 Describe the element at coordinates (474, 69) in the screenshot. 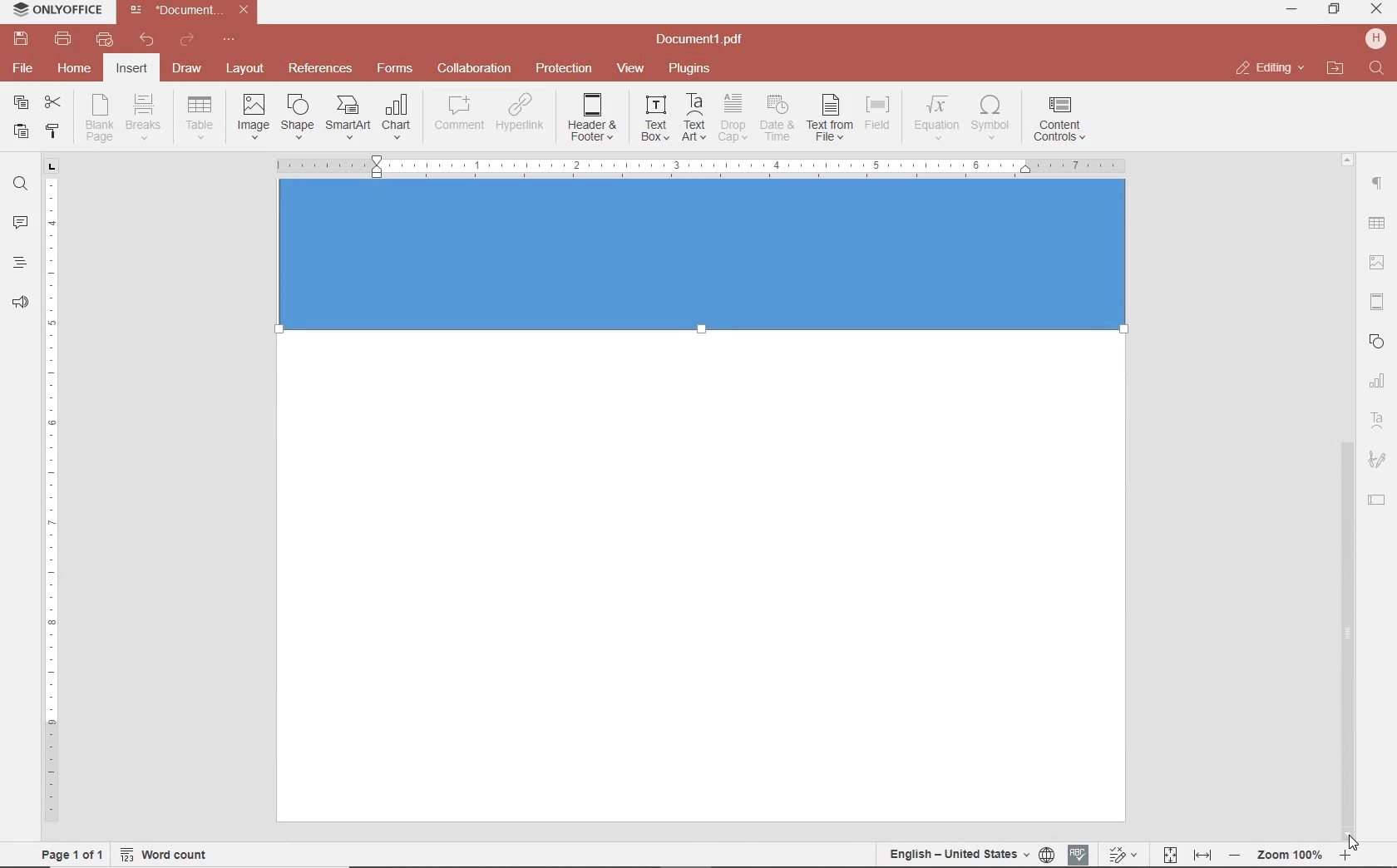

I see `collaboration` at that location.